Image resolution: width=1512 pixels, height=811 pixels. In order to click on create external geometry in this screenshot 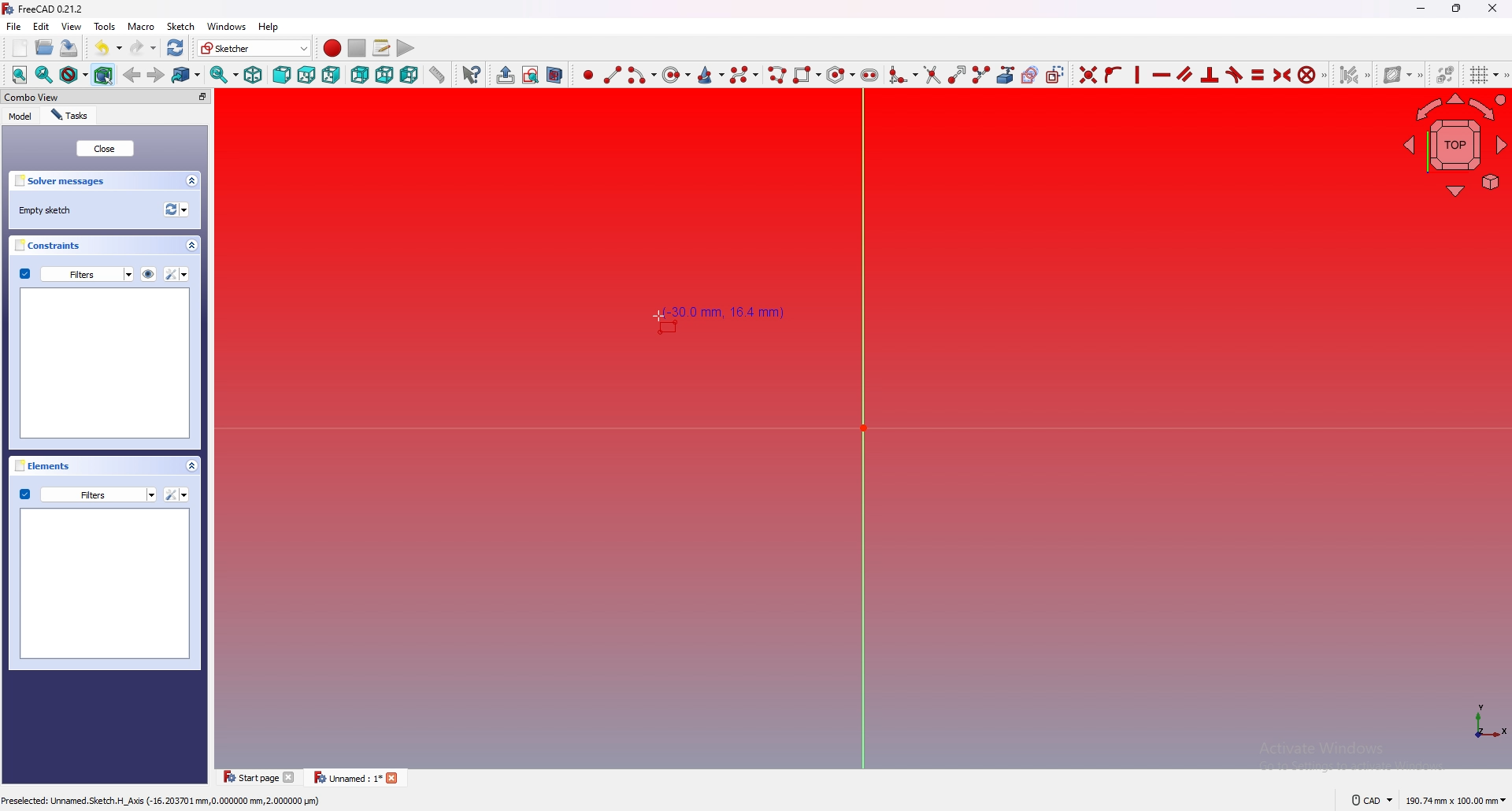, I will do `click(1006, 75)`.